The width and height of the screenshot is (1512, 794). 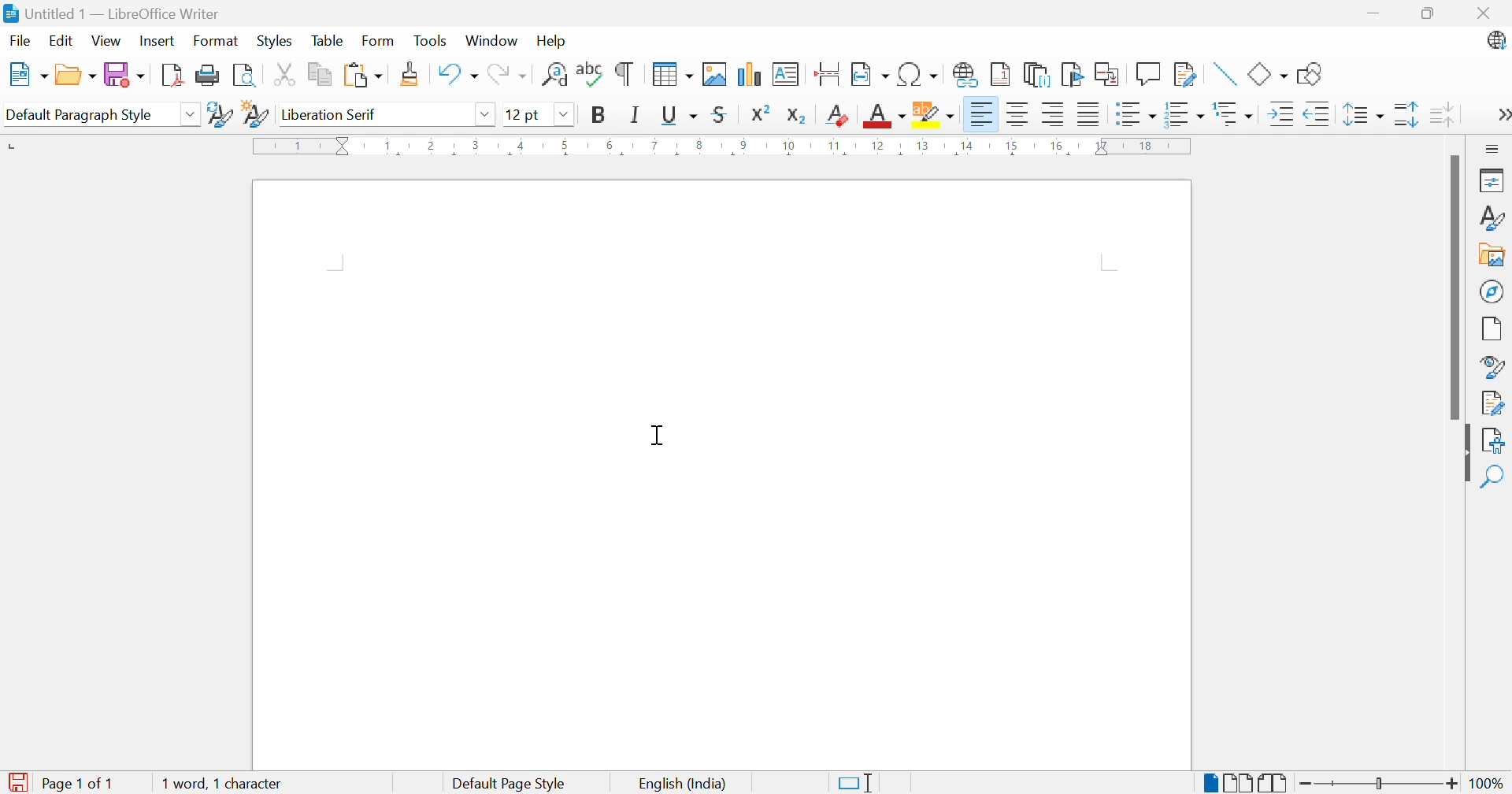 What do you see at coordinates (222, 785) in the screenshot?
I see `1 word, 1 character` at bounding box center [222, 785].